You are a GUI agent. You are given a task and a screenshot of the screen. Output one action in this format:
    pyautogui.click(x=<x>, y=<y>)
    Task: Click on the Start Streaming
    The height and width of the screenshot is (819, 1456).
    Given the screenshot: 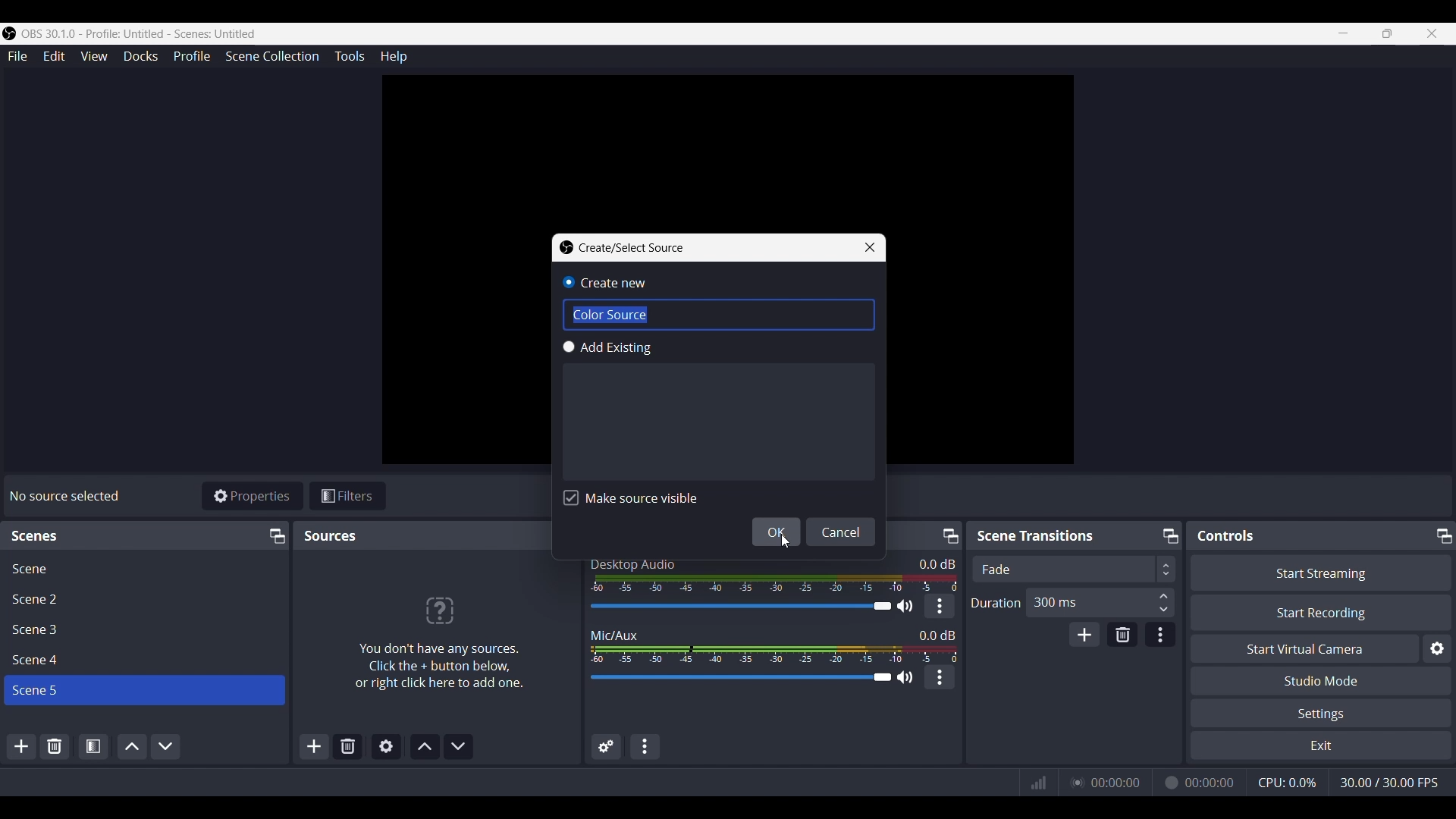 What is the action you would take?
    pyautogui.click(x=1319, y=571)
    